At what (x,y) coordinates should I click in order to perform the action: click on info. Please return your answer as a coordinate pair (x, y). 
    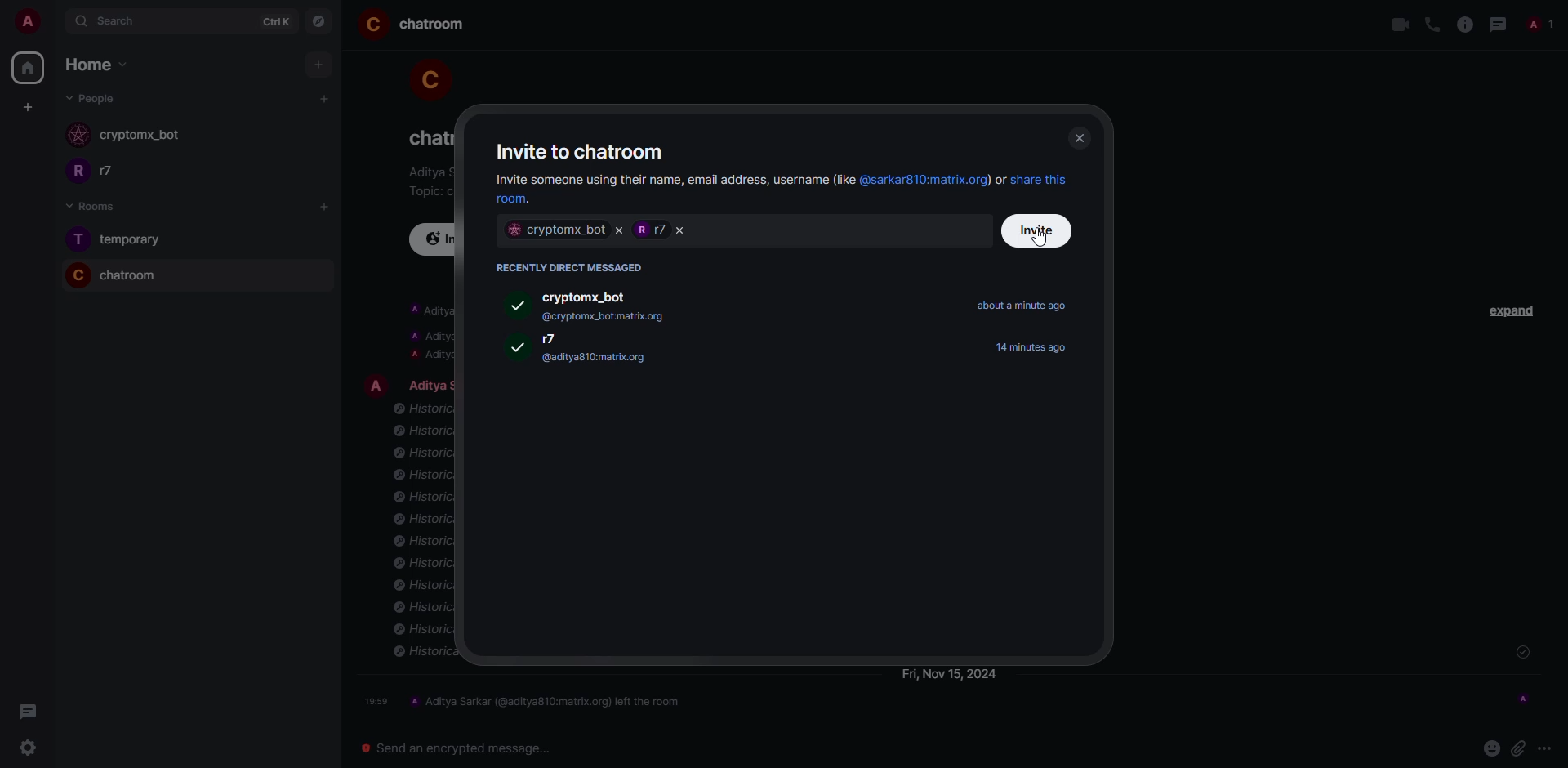
    Looking at the image, I should click on (427, 333).